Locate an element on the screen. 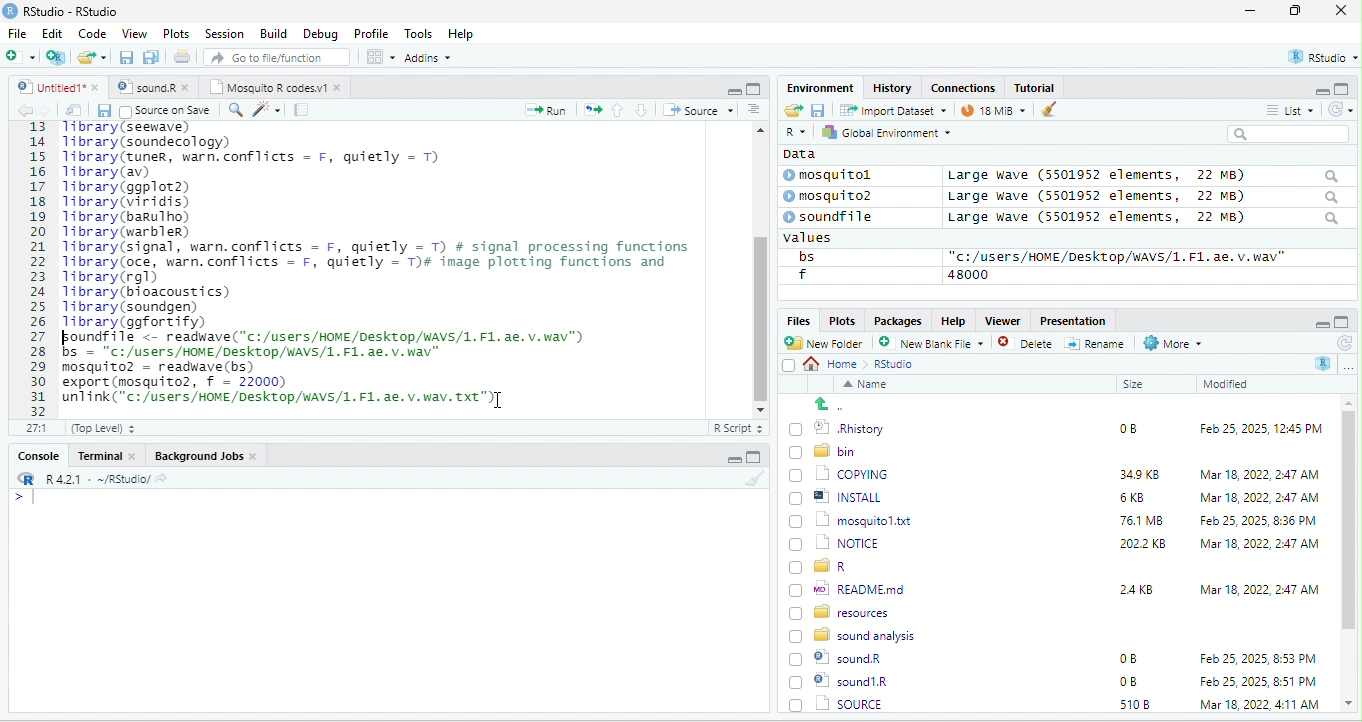 This screenshot has height=722, width=1362. f is located at coordinates (802, 275).